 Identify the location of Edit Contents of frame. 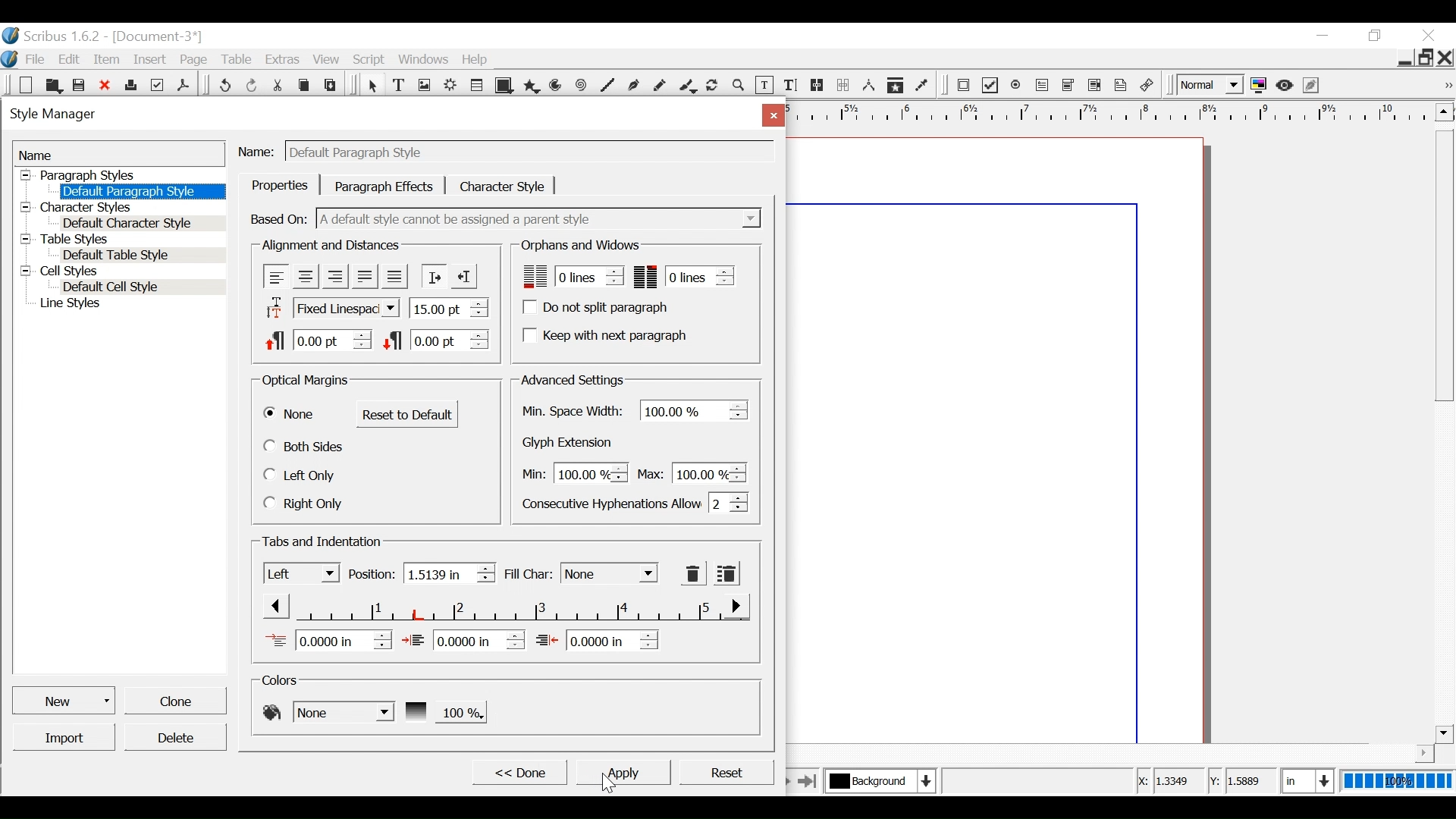
(764, 86).